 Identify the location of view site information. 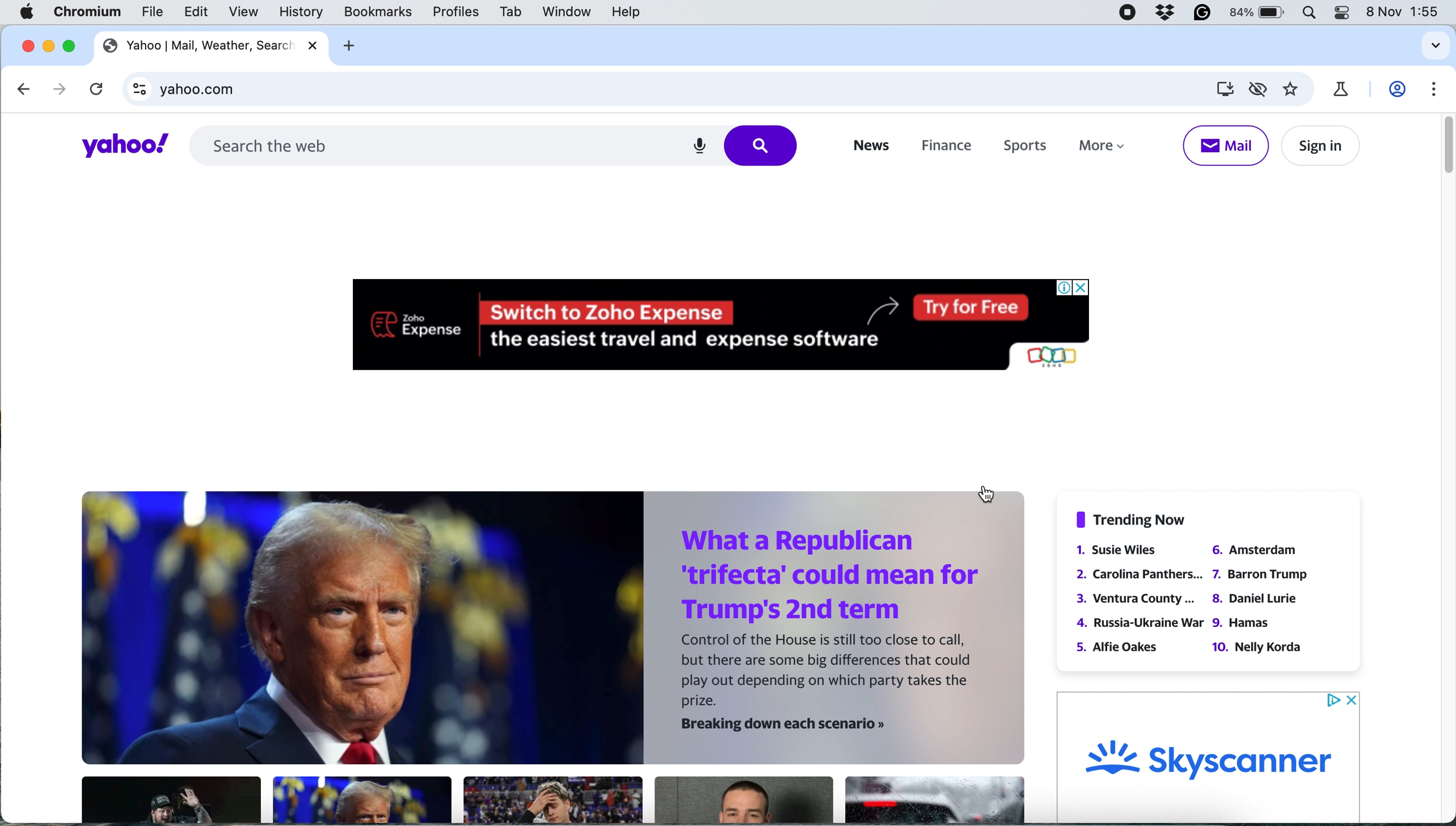
(136, 88).